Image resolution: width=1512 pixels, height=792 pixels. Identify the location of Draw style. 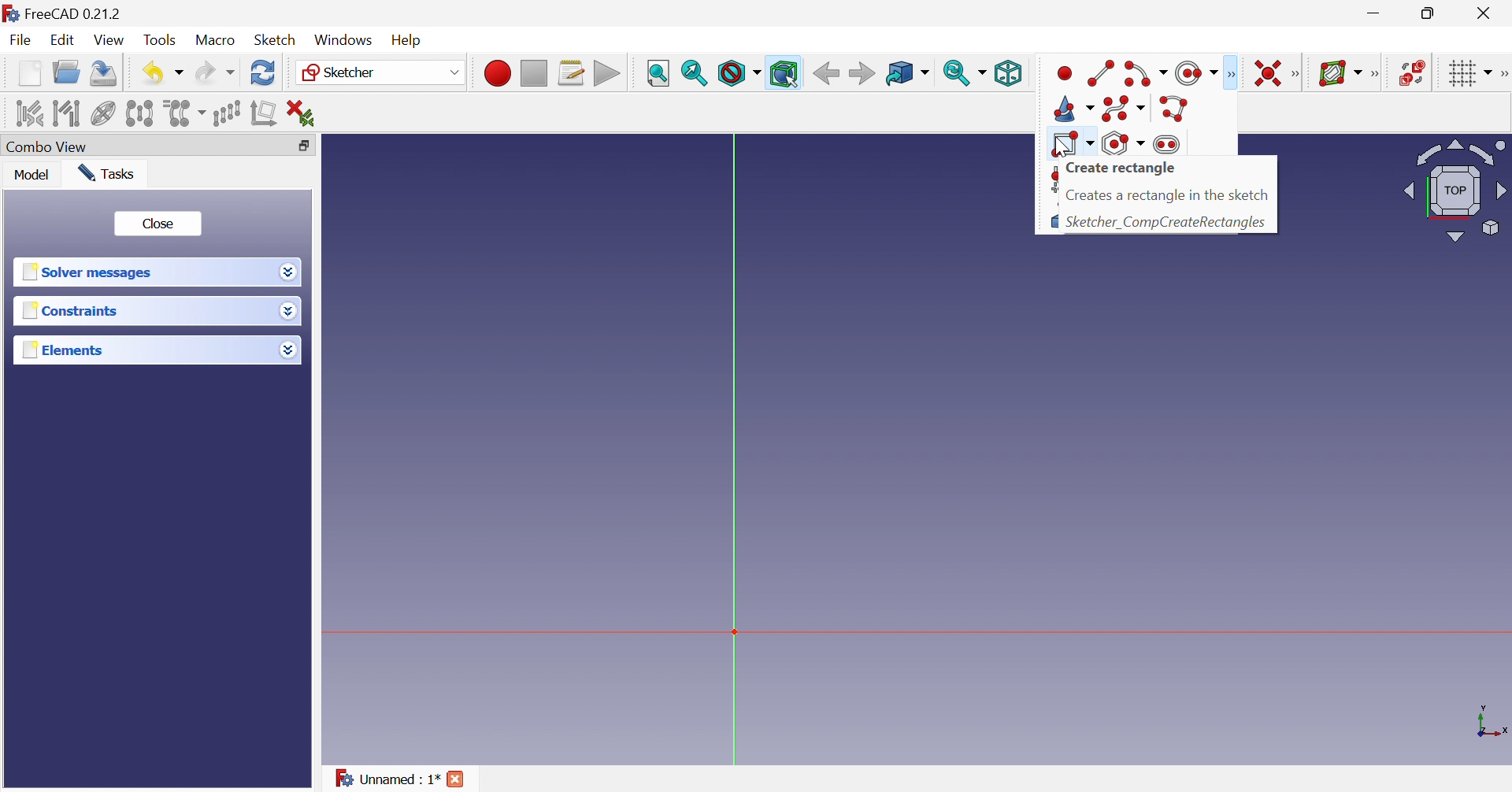
(739, 72).